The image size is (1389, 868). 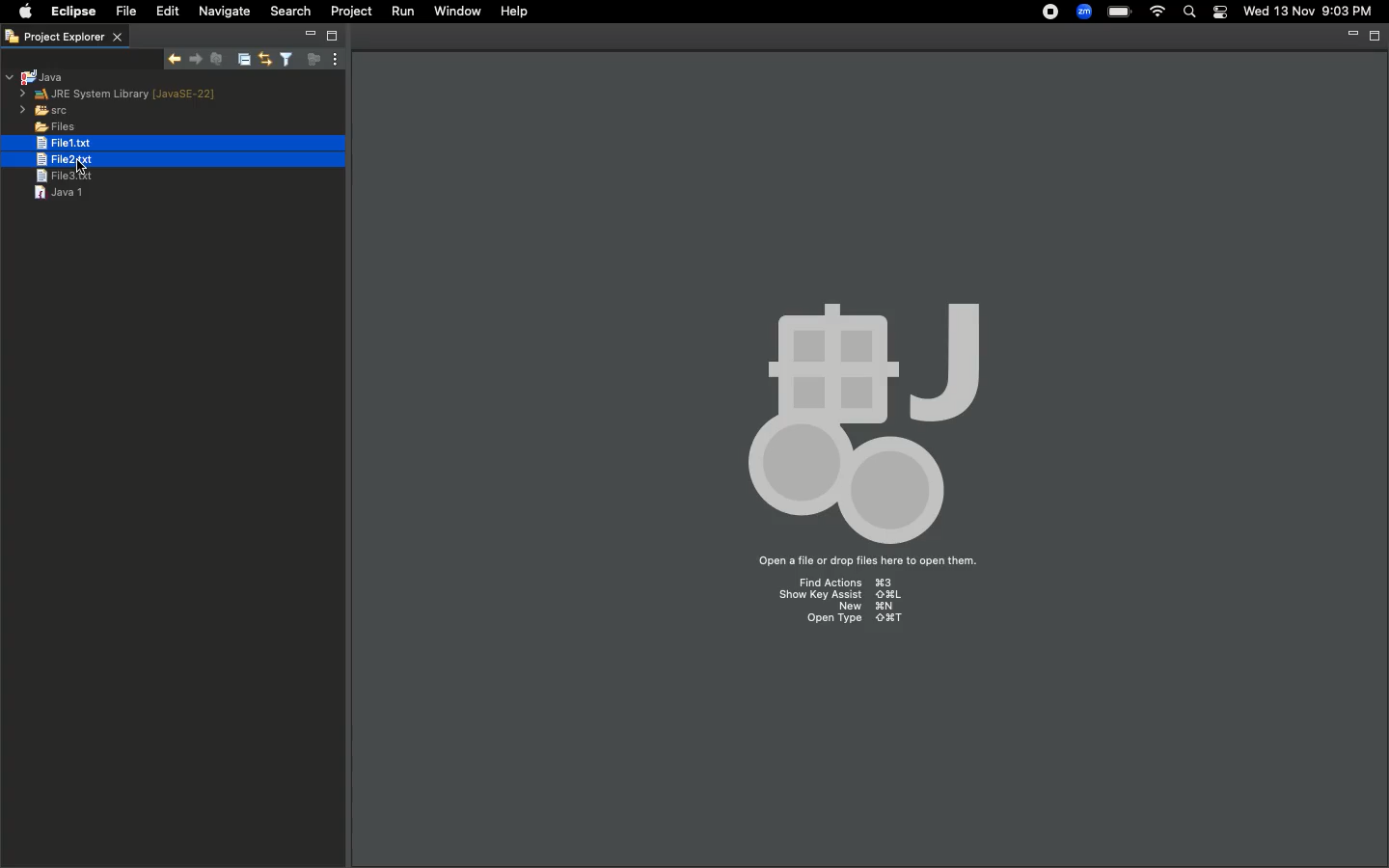 I want to click on Selected files, so click(x=130, y=160).